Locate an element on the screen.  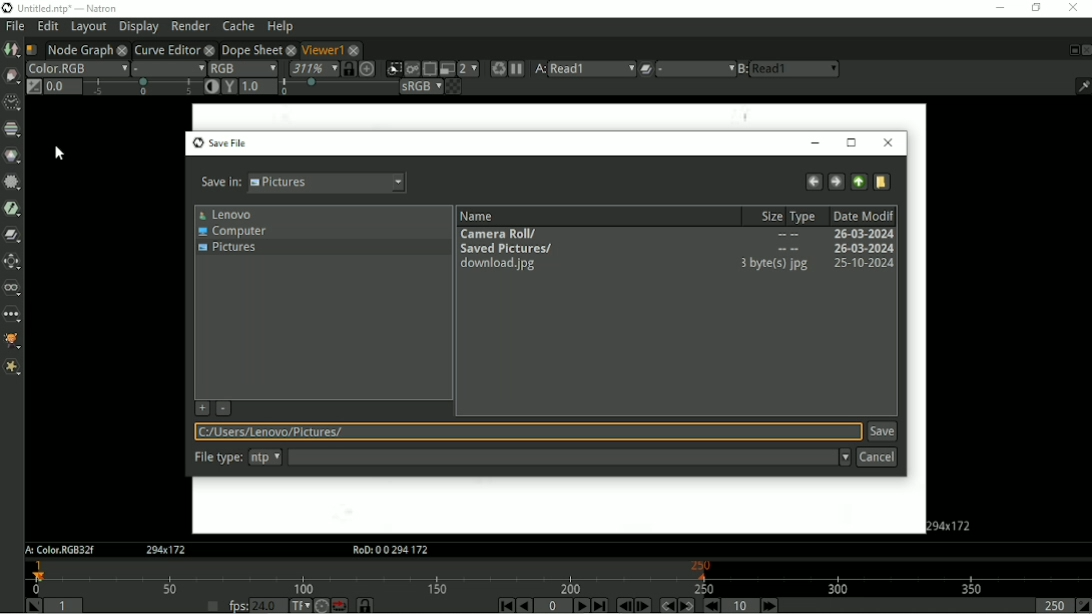
ntp is located at coordinates (266, 457).